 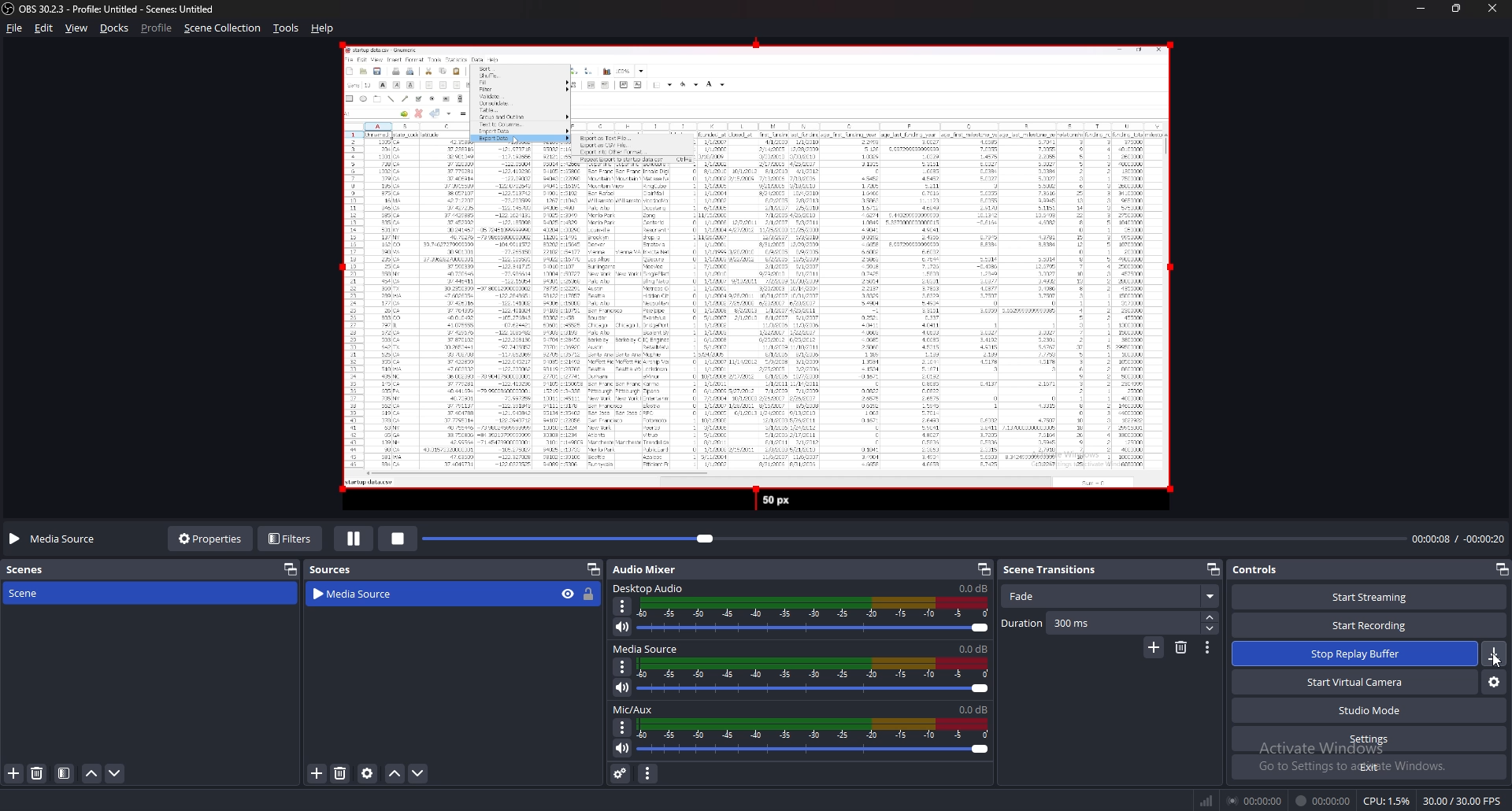 I want to click on properties, so click(x=208, y=540).